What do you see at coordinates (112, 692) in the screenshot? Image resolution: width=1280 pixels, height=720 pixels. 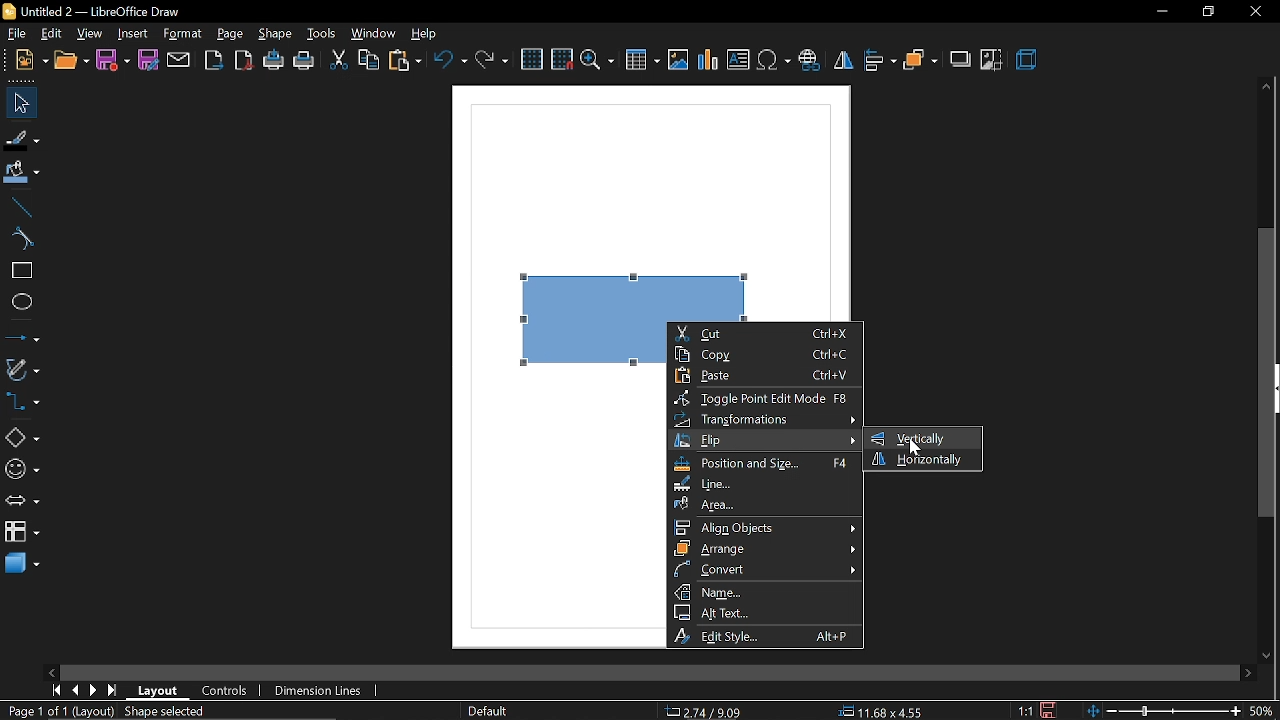 I see `go to last page` at bounding box center [112, 692].